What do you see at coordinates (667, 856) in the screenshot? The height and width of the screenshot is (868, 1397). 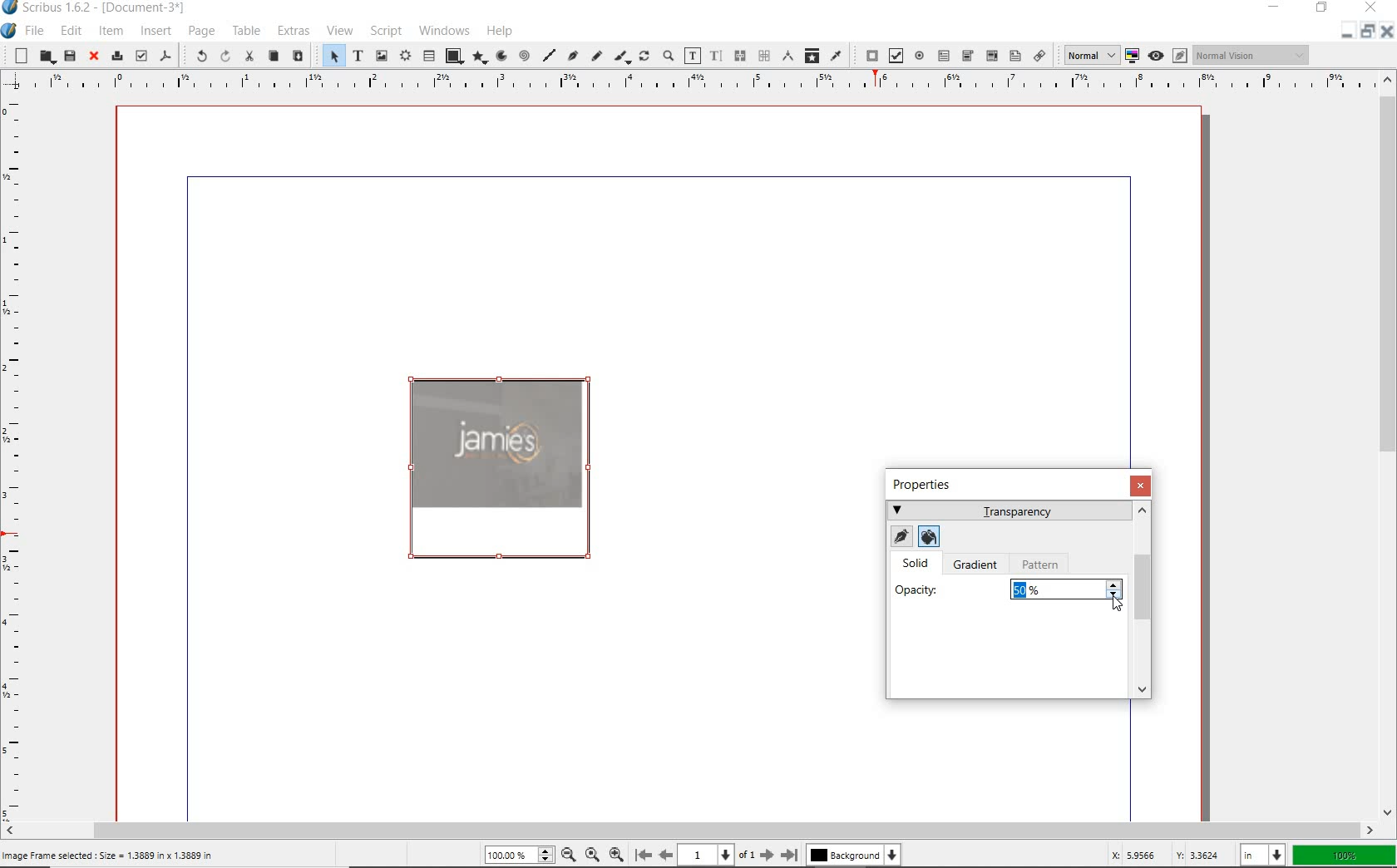 I see `previous` at bounding box center [667, 856].